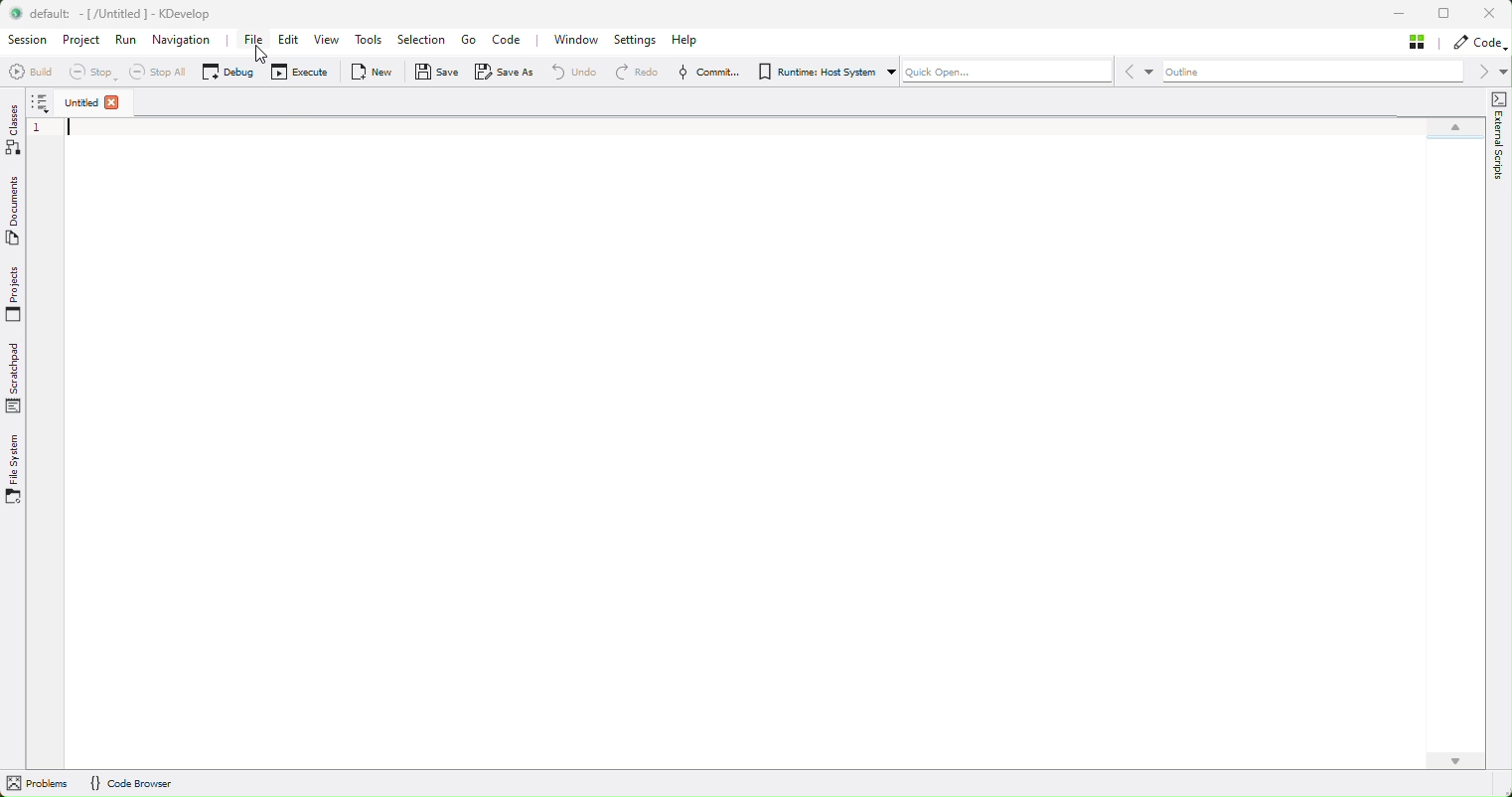 This screenshot has width=1512, height=797. What do you see at coordinates (31, 72) in the screenshot?
I see `Build` at bounding box center [31, 72].